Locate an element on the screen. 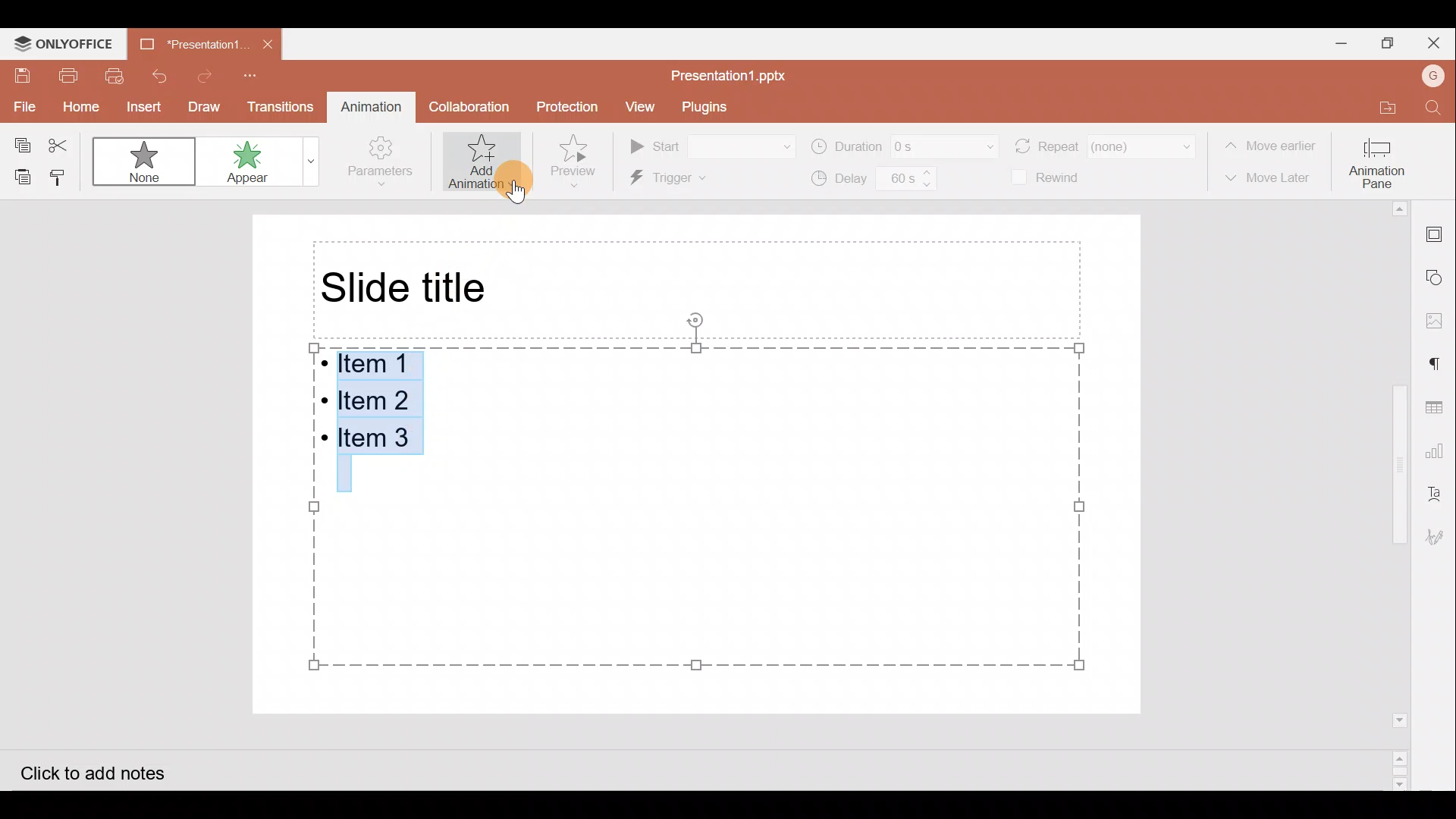  Quick print is located at coordinates (115, 74).